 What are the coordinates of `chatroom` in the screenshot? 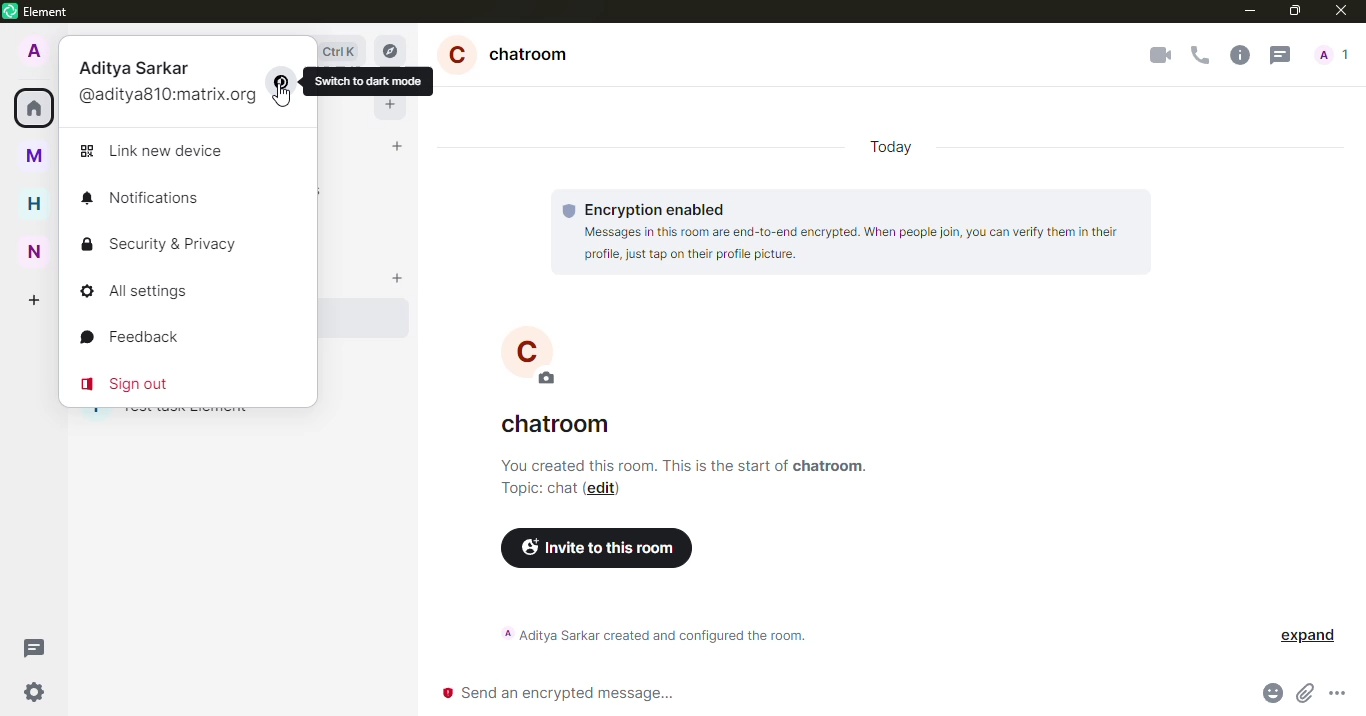 It's located at (512, 49).